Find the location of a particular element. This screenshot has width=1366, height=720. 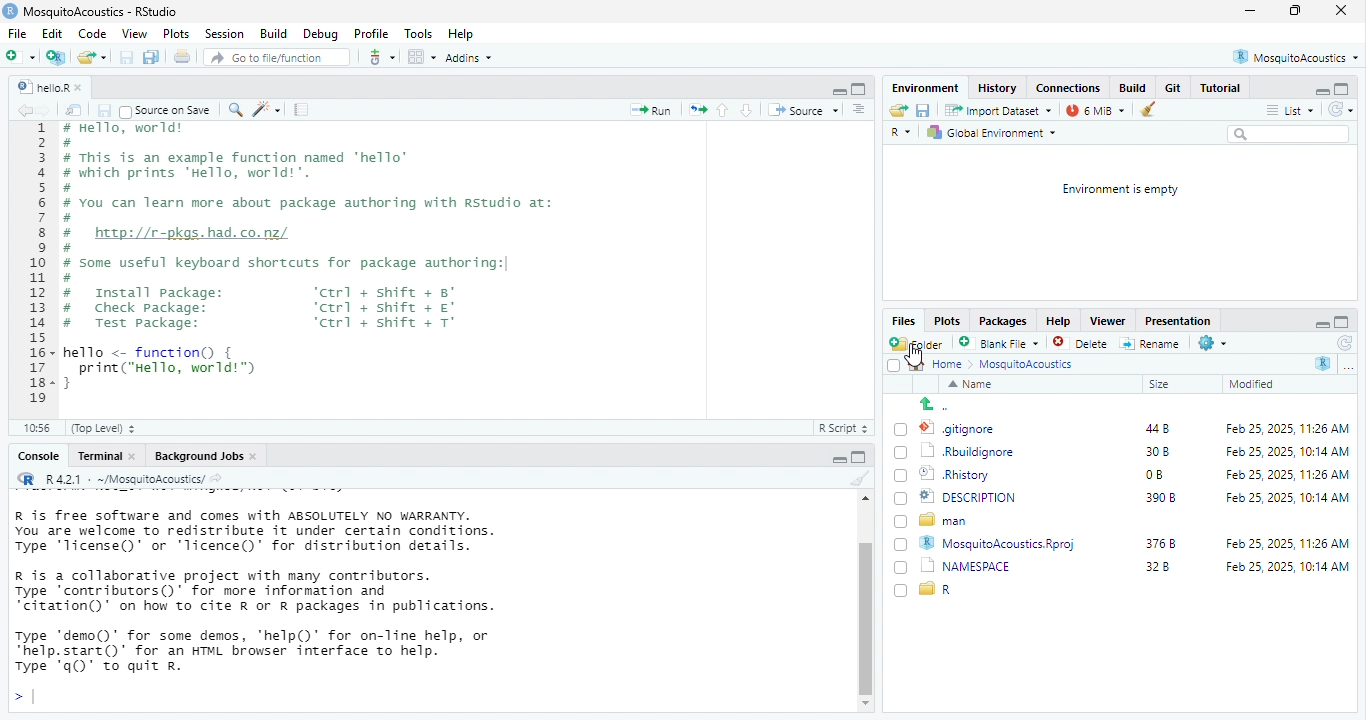

 Rhistory is located at coordinates (955, 474).